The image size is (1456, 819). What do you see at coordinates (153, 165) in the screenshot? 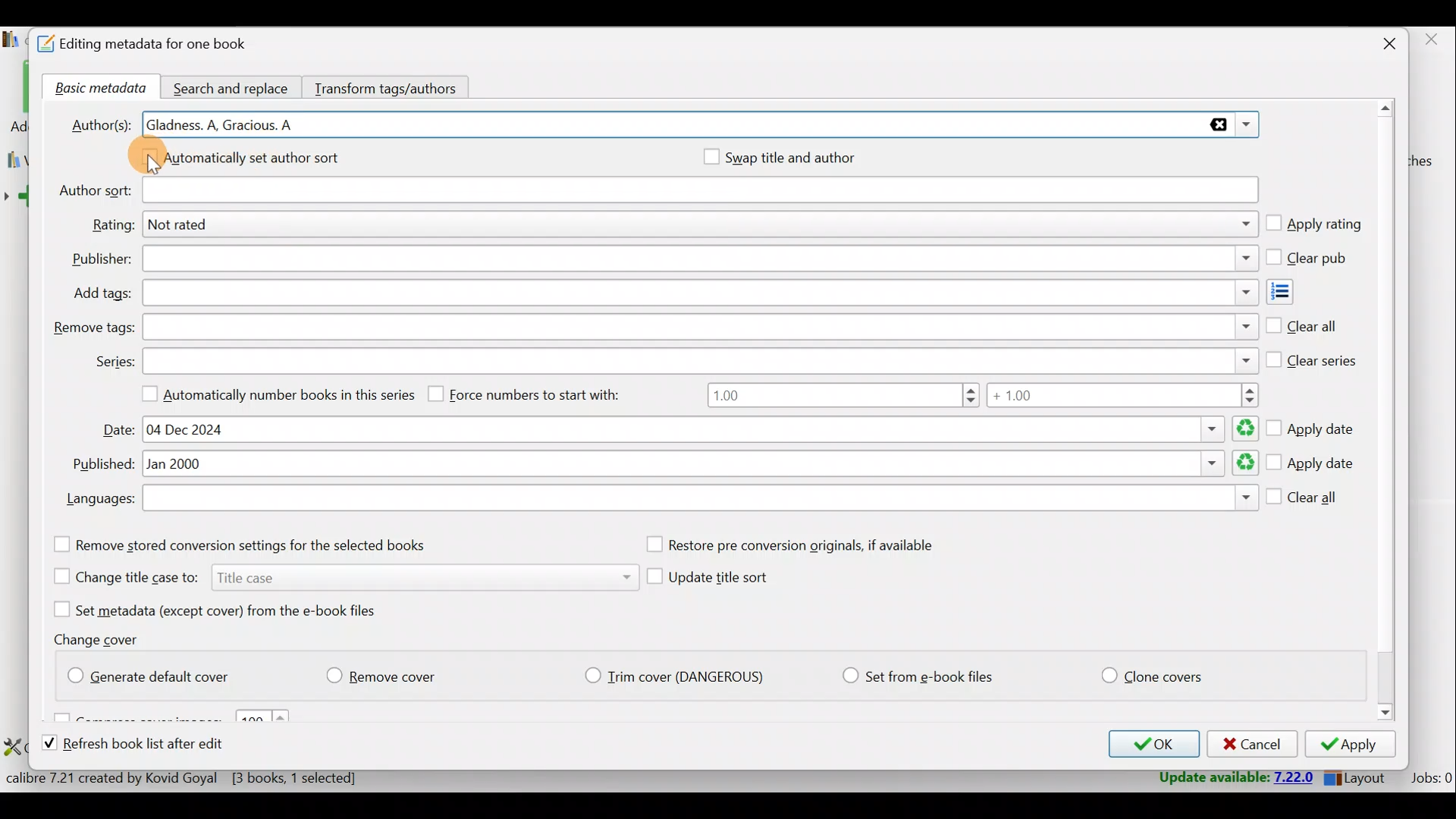
I see `Cursor` at bounding box center [153, 165].